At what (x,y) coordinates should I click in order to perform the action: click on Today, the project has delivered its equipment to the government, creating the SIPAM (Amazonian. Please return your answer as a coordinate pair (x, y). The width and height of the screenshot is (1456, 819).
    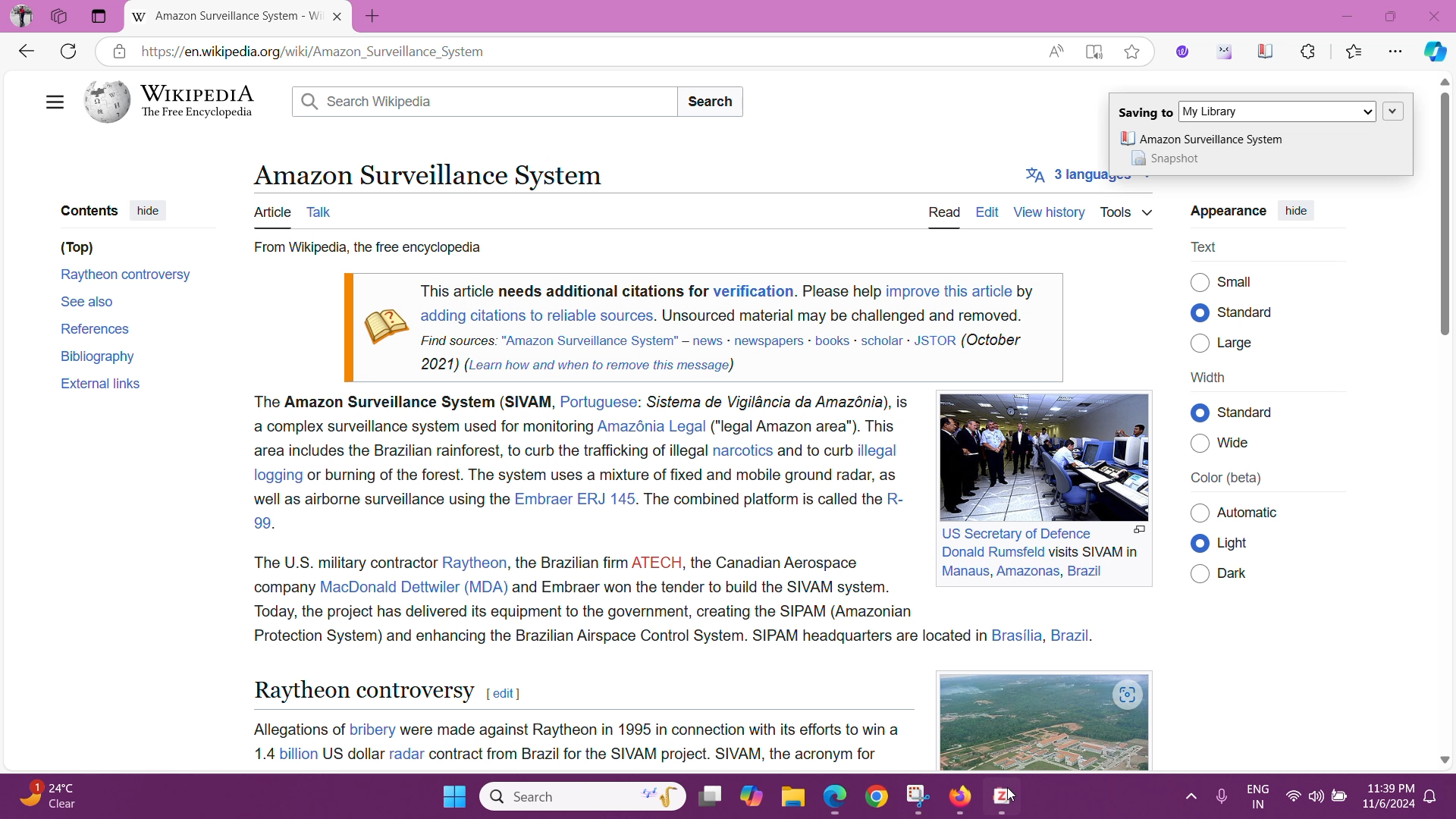
    Looking at the image, I should click on (583, 611).